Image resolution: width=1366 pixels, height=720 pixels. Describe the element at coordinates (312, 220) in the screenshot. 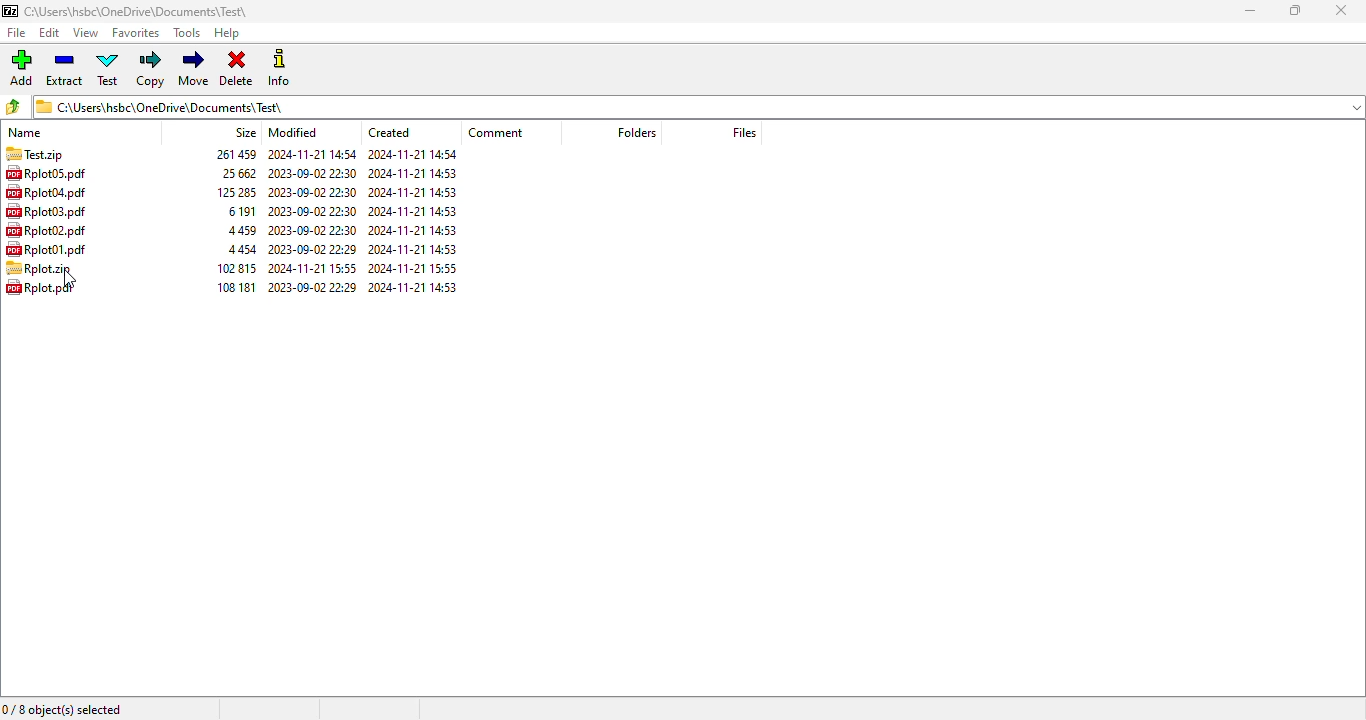

I see `modified date & time` at that location.